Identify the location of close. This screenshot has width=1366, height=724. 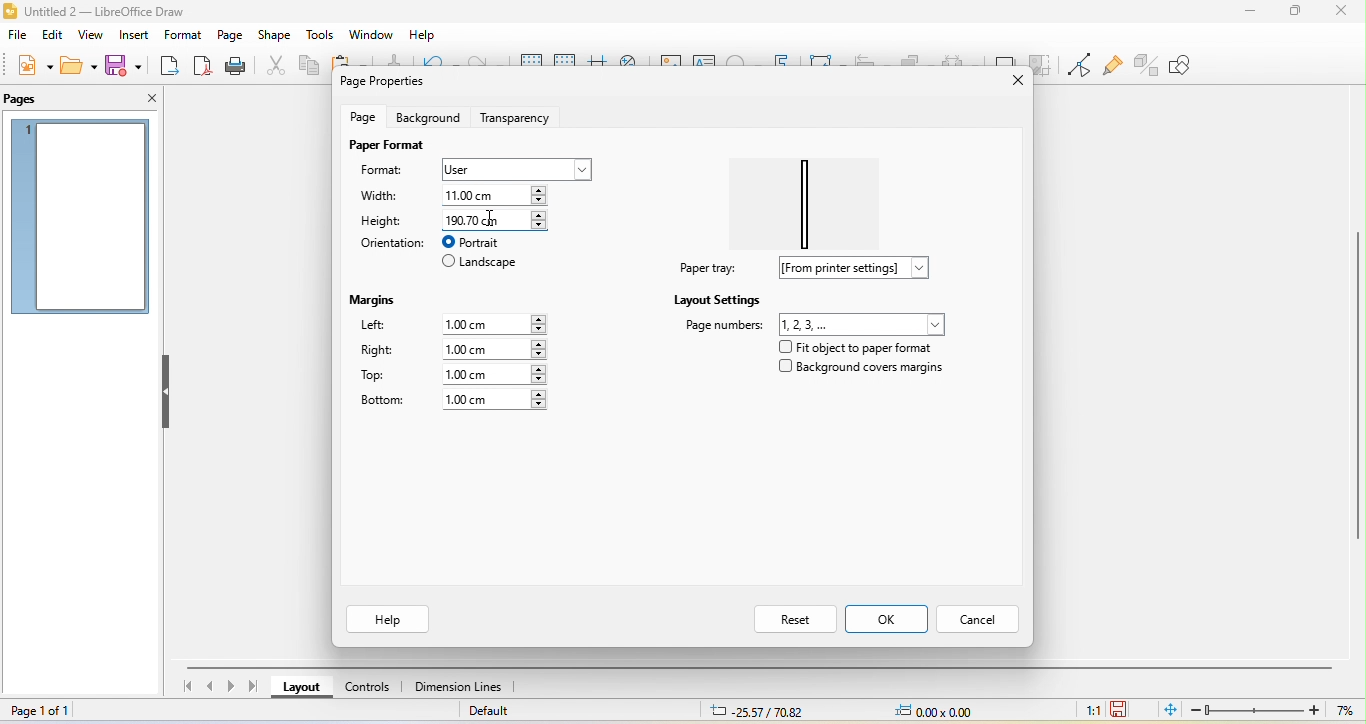
(144, 98).